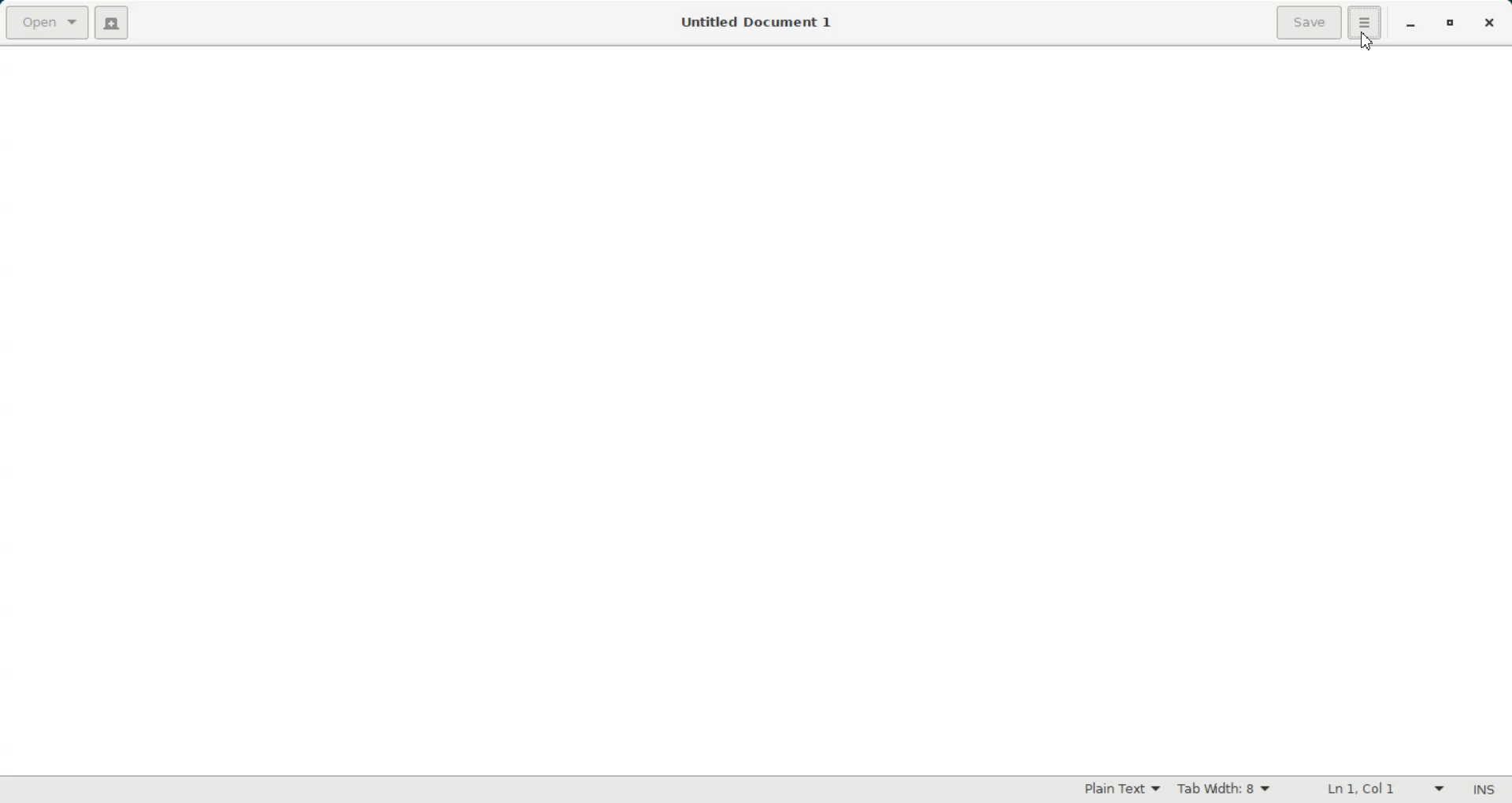  I want to click on Create a new document, so click(116, 24).